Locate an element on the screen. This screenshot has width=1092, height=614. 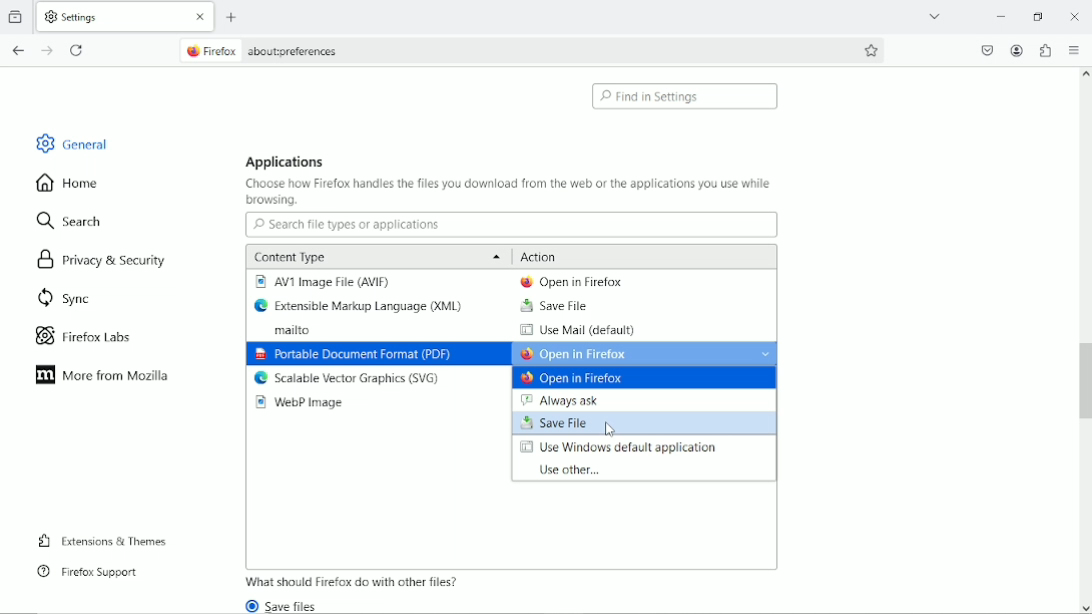
List all tabs is located at coordinates (936, 16).